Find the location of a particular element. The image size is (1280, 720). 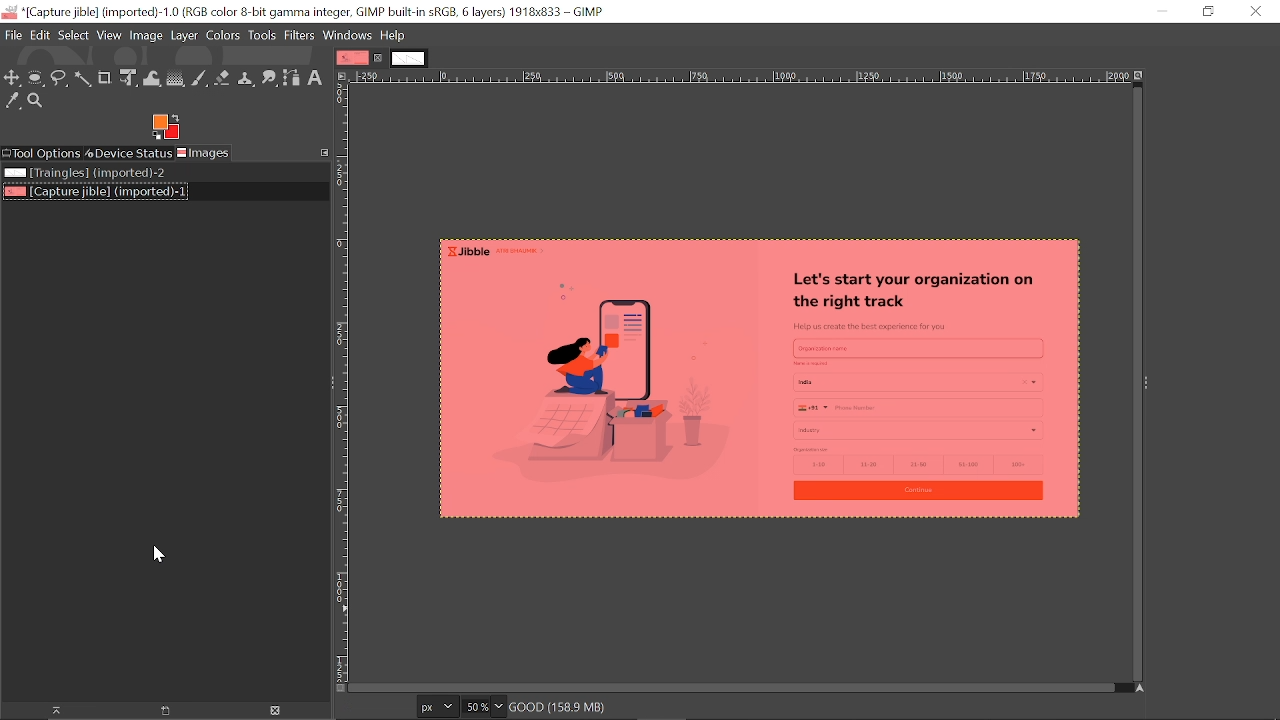

Delete image is located at coordinates (271, 711).